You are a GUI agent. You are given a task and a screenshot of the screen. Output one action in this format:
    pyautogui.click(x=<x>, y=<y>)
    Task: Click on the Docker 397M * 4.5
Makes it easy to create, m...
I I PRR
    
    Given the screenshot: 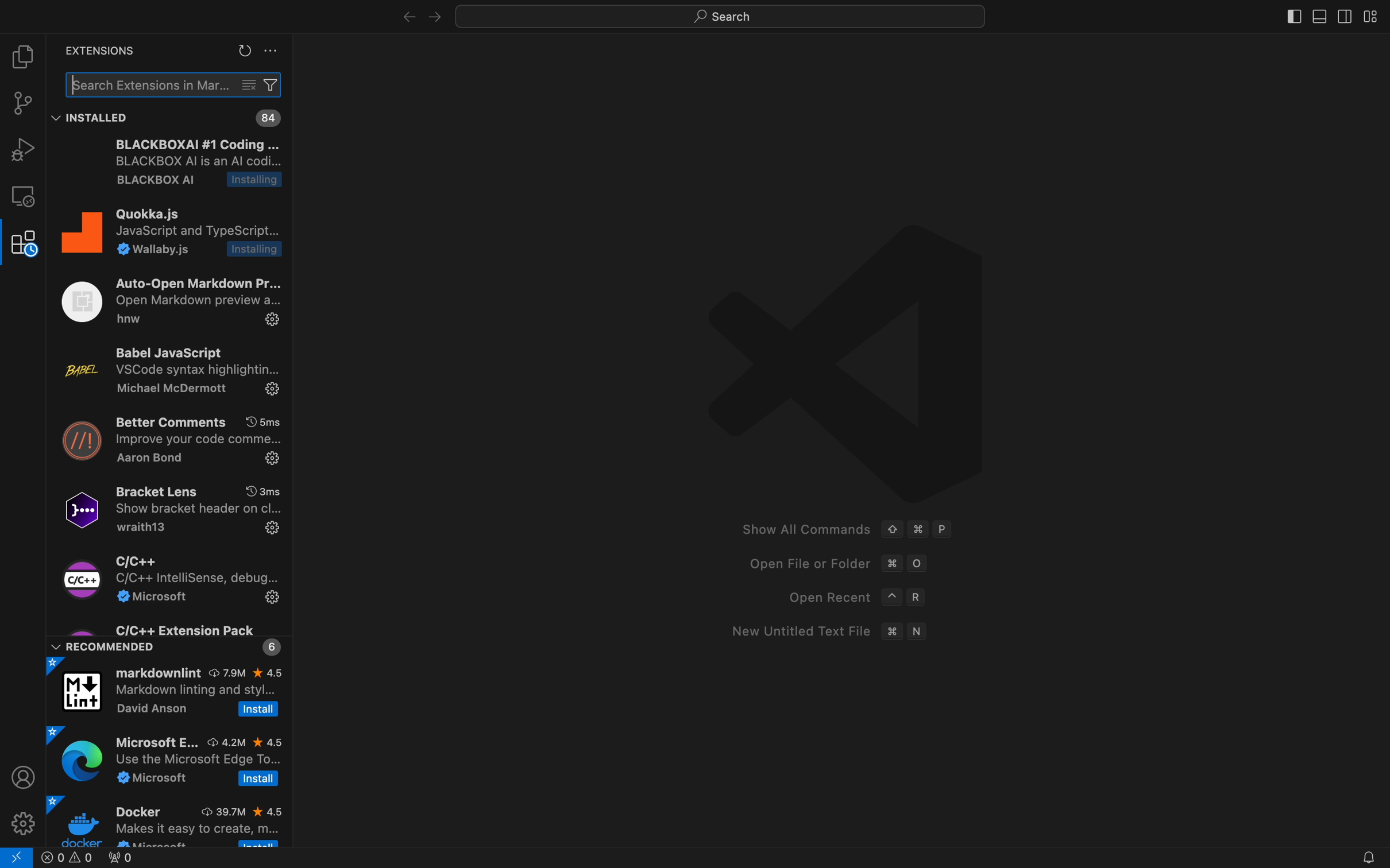 What is the action you would take?
    pyautogui.click(x=167, y=823)
    